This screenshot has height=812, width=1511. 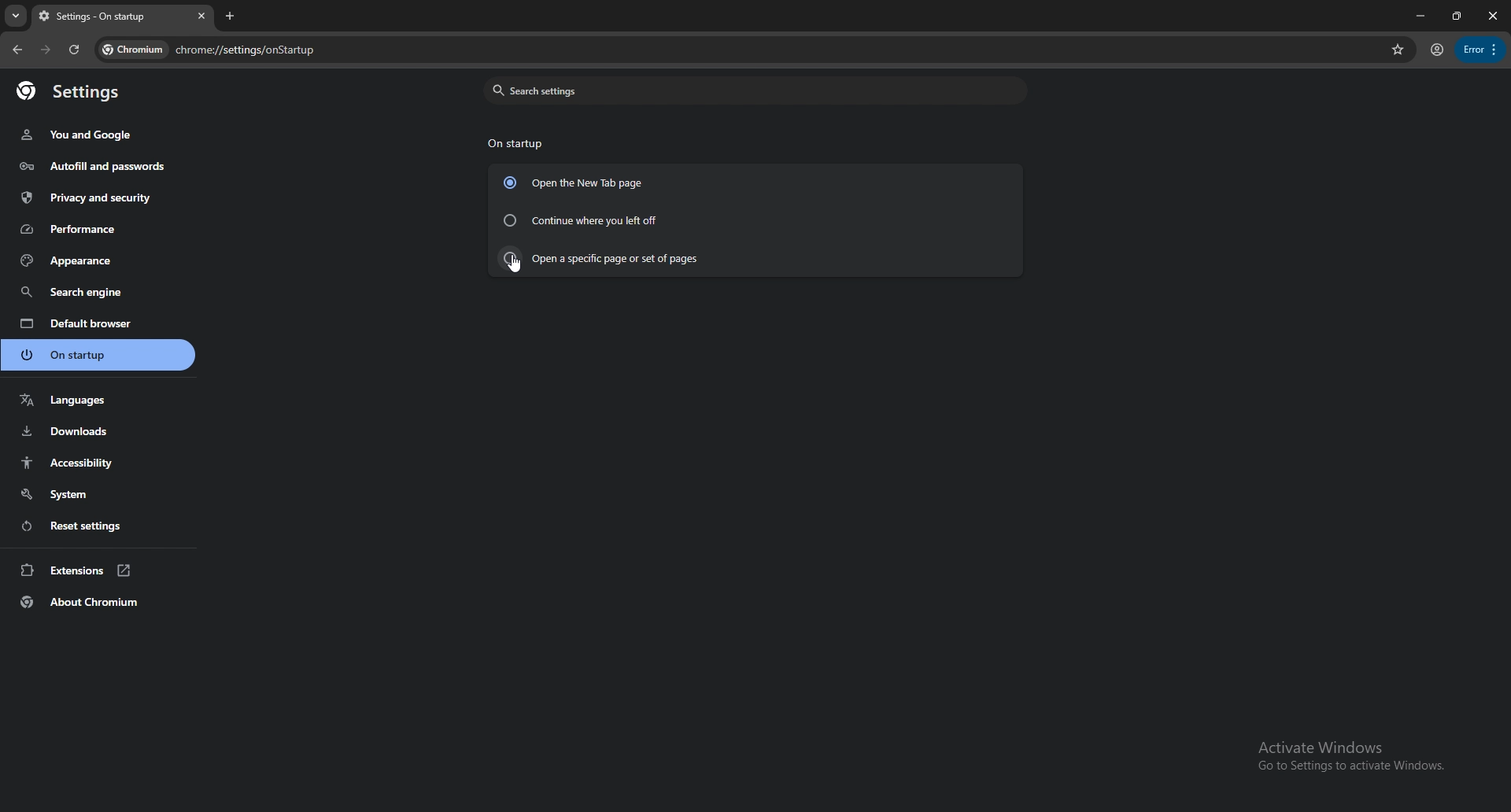 I want to click on performance, so click(x=92, y=228).